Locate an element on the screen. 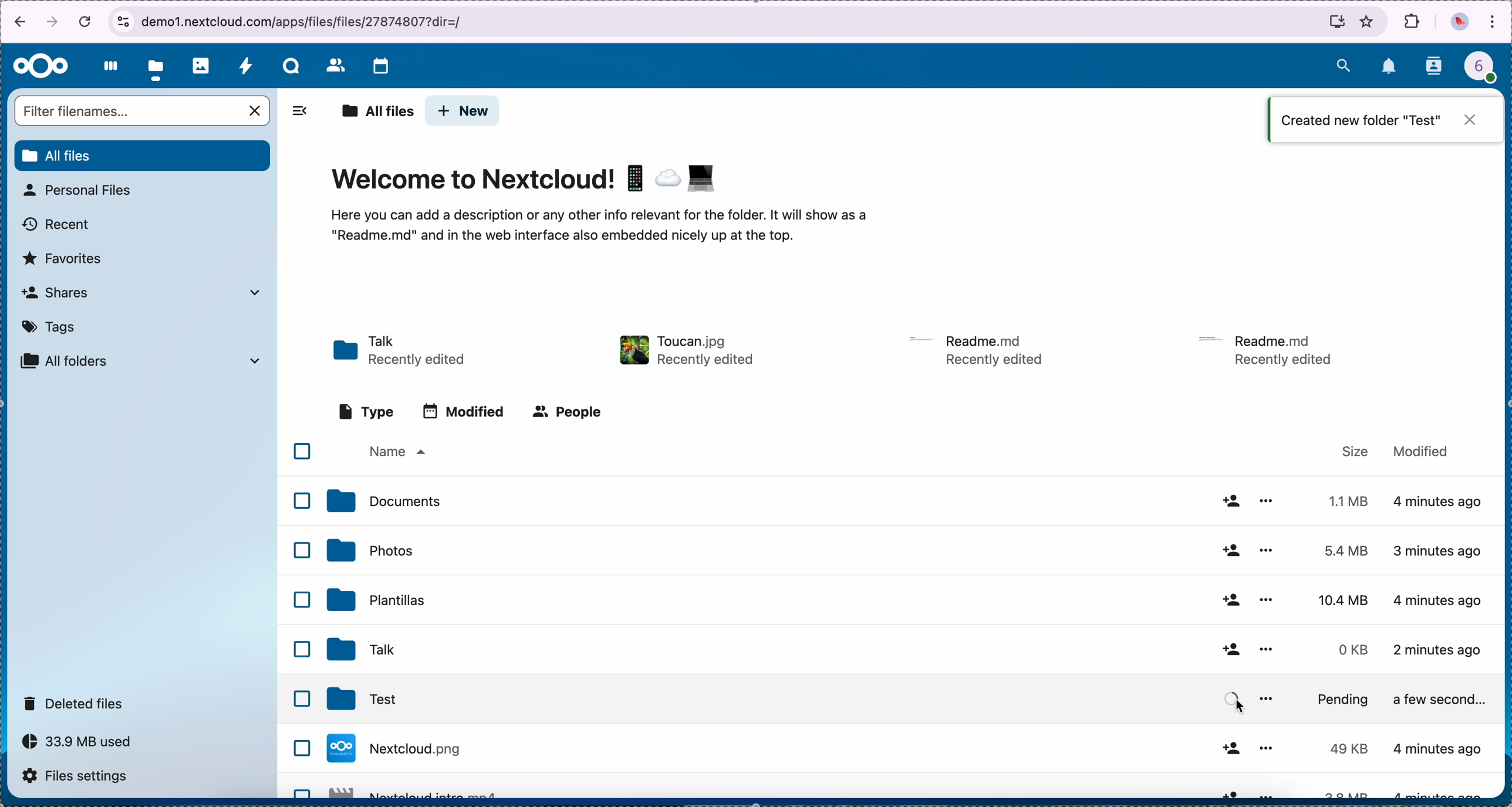 The width and height of the screenshot is (1512, 807). recent is located at coordinates (58, 225).